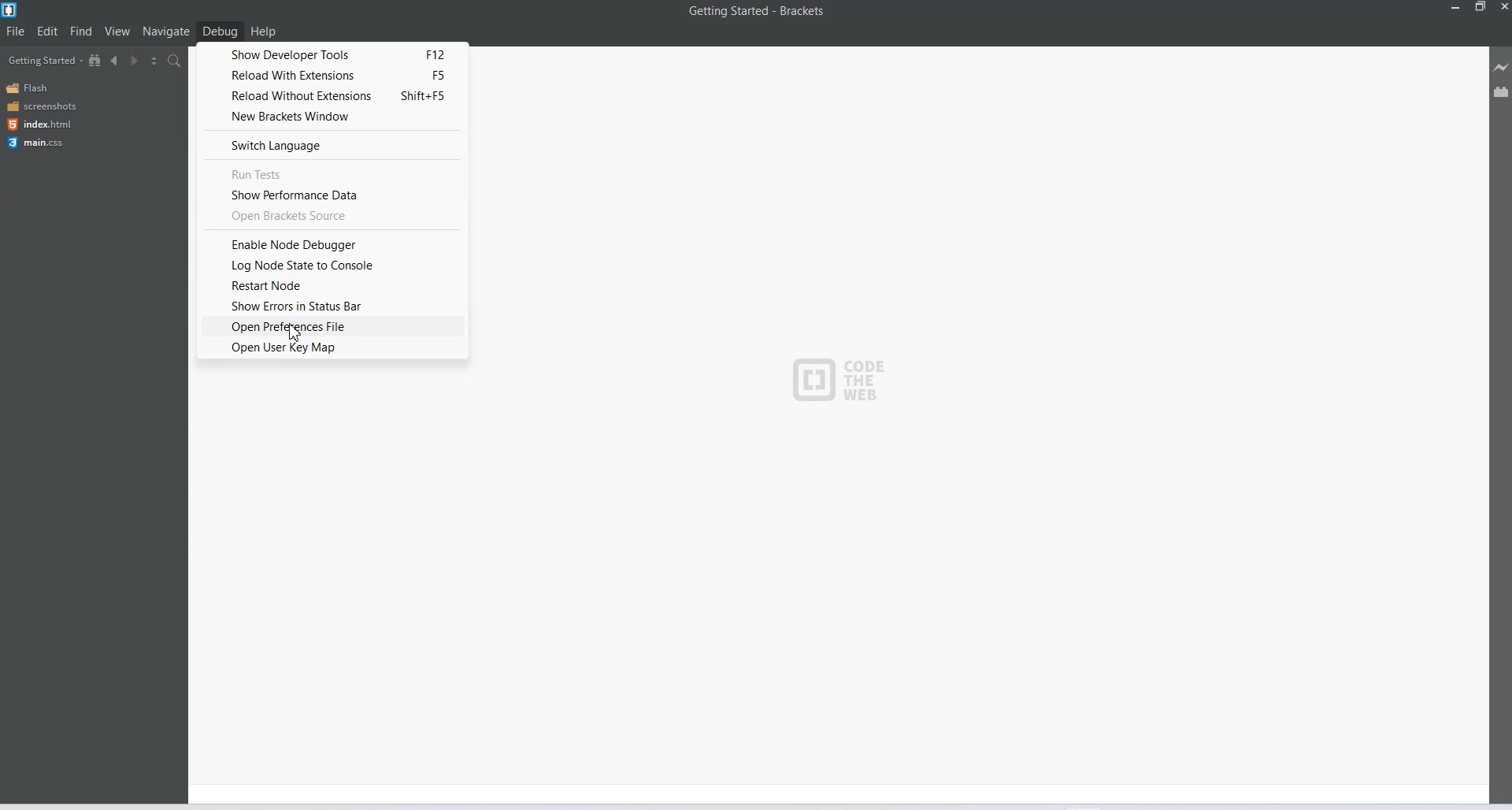 This screenshot has width=1512, height=810. Describe the element at coordinates (333, 243) in the screenshot. I see `Enable Node Debugger` at that location.